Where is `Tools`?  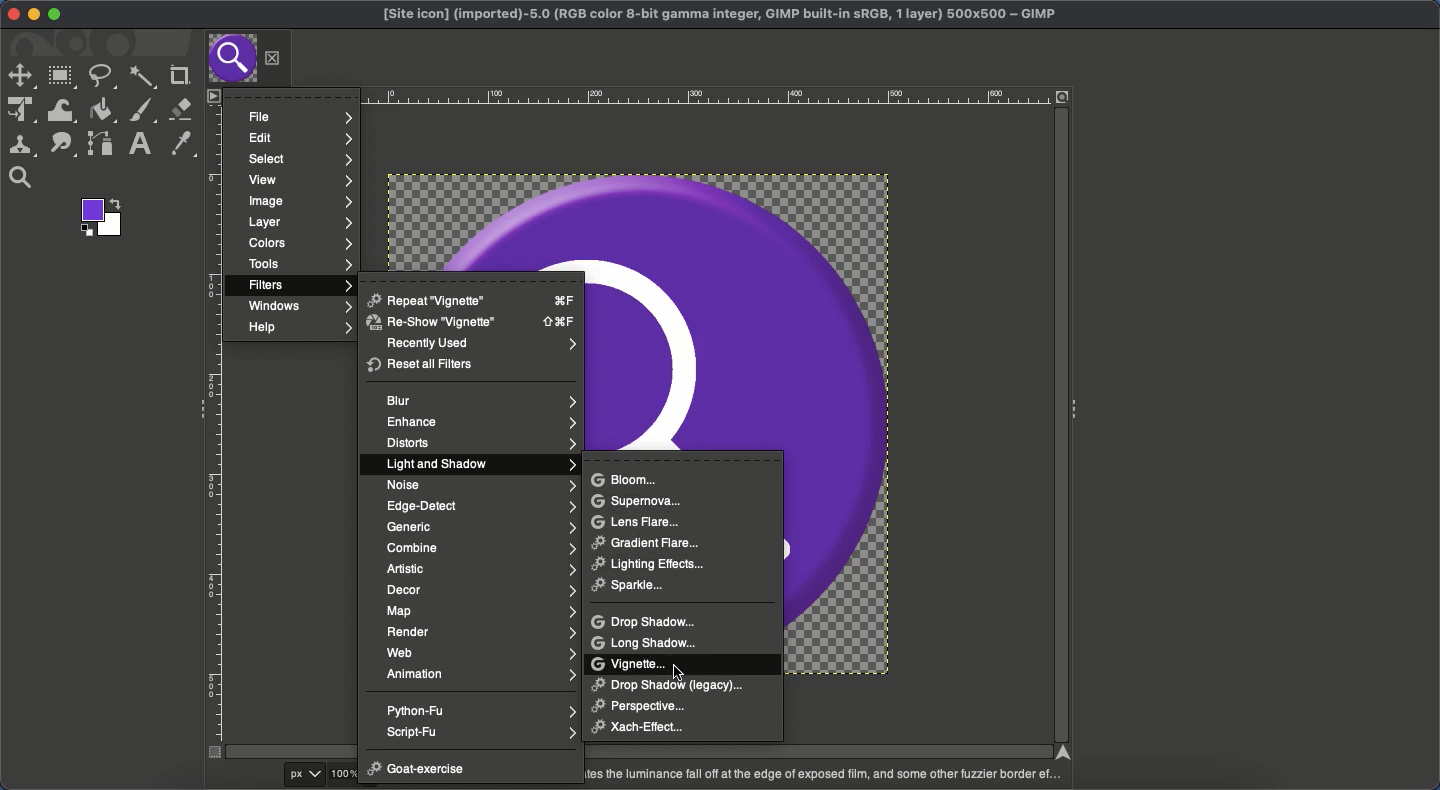 Tools is located at coordinates (299, 266).